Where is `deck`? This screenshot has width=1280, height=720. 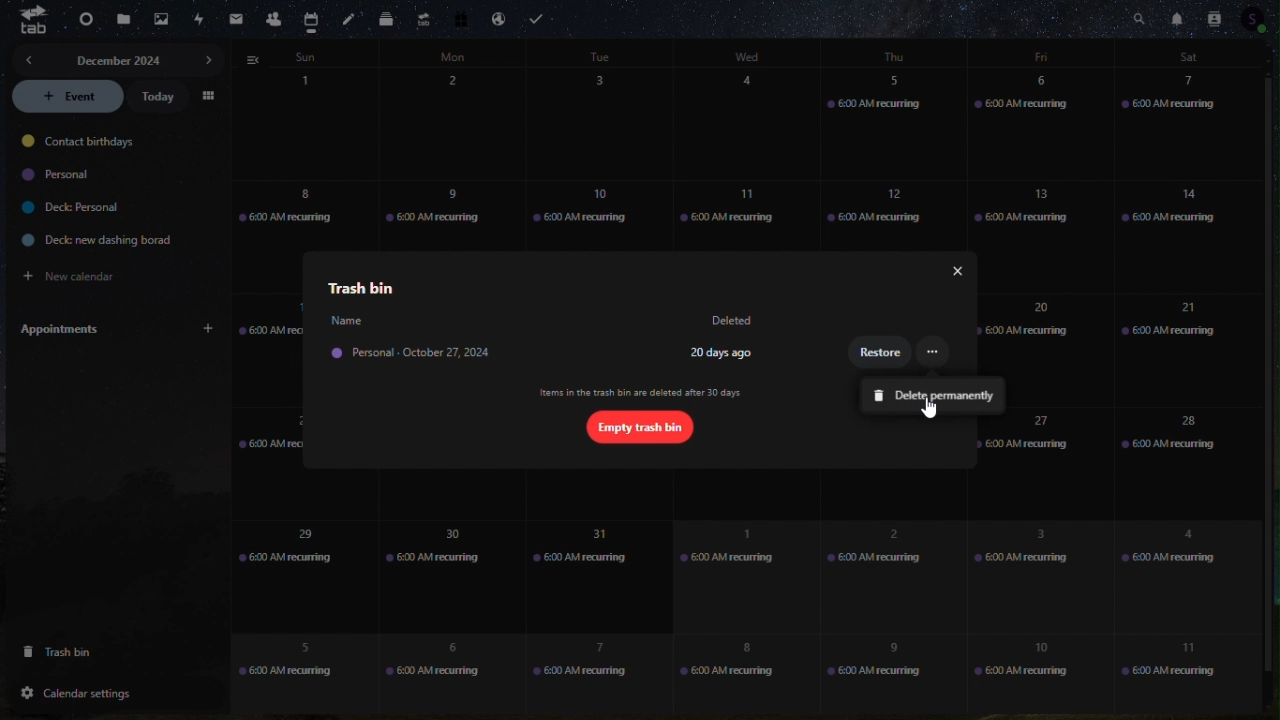
deck is located at coordinates (385, 19).